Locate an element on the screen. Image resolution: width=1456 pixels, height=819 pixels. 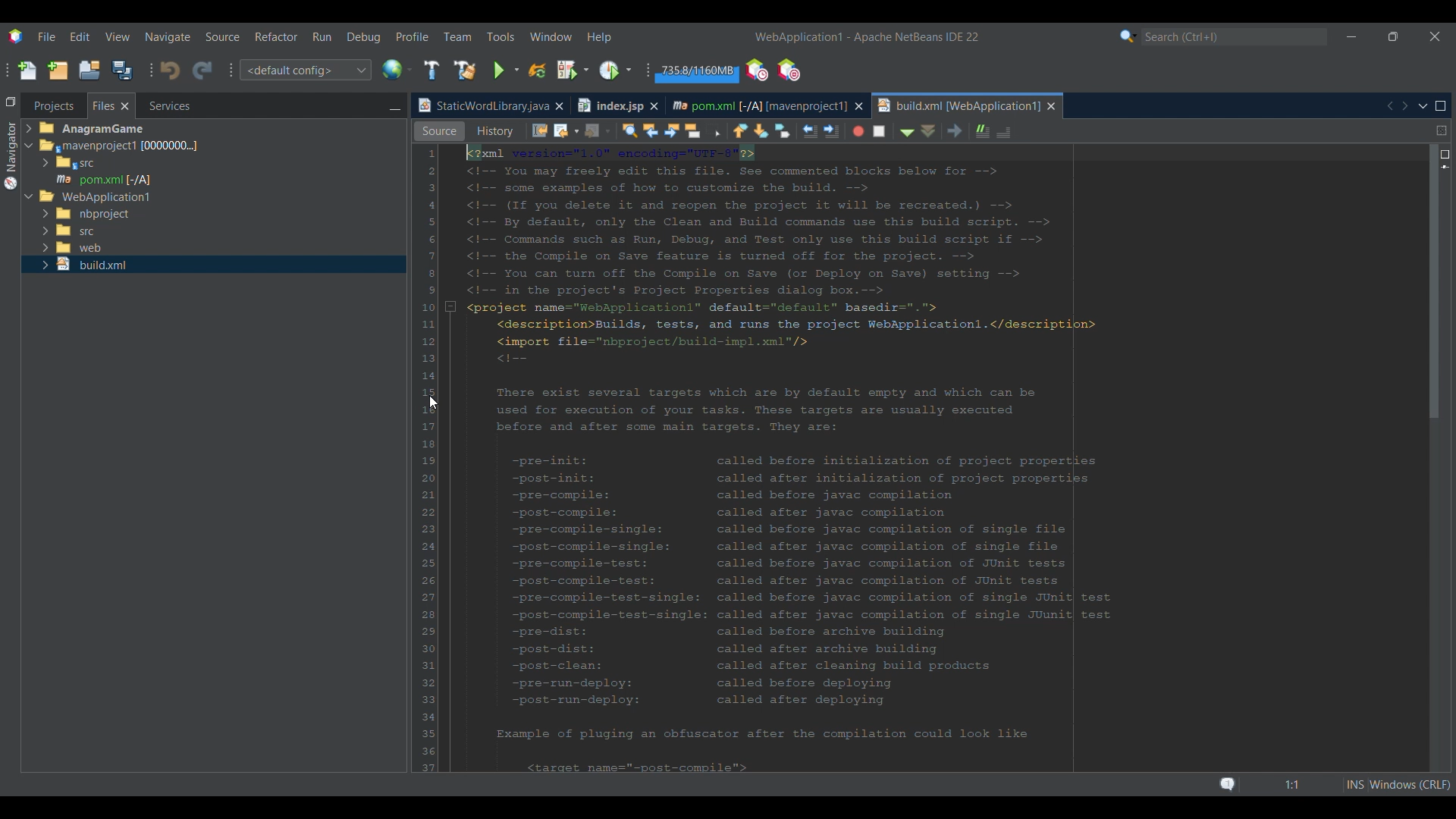
Cursor right clicking  is located at coordinates (436, 231).